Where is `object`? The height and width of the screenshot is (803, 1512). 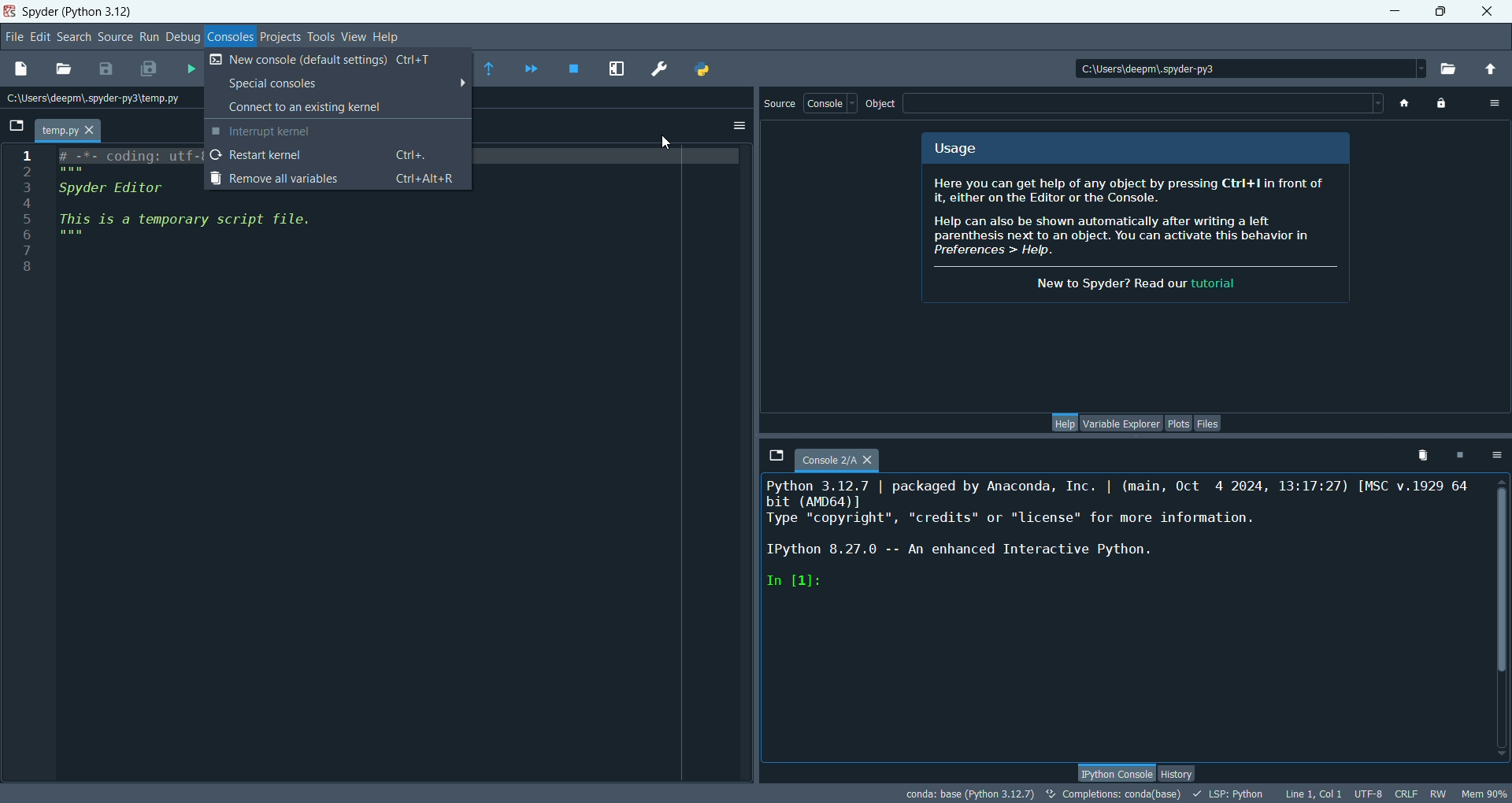 object is located at coordinates (882, 103).